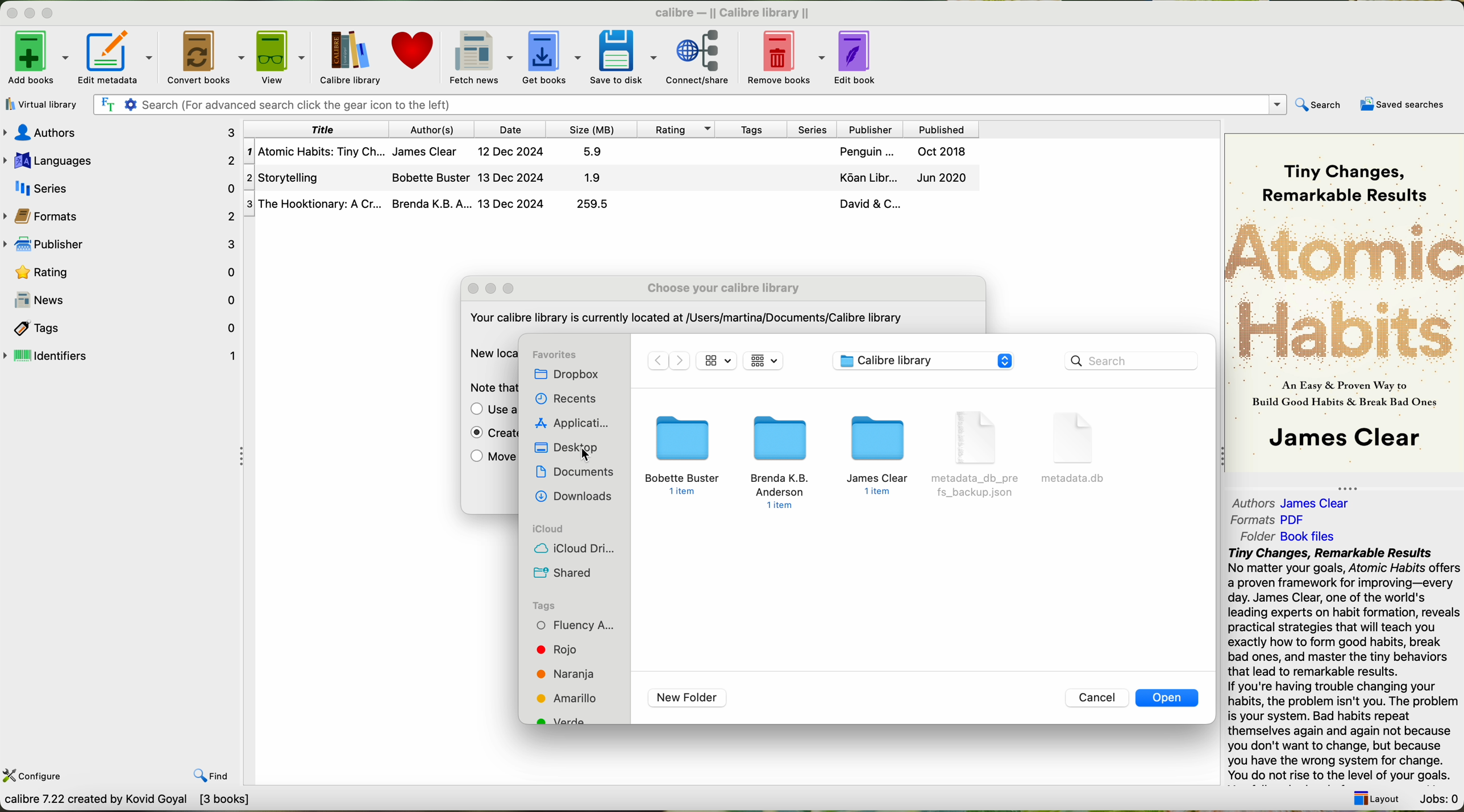  I want to click on authors, so click(124, 132).